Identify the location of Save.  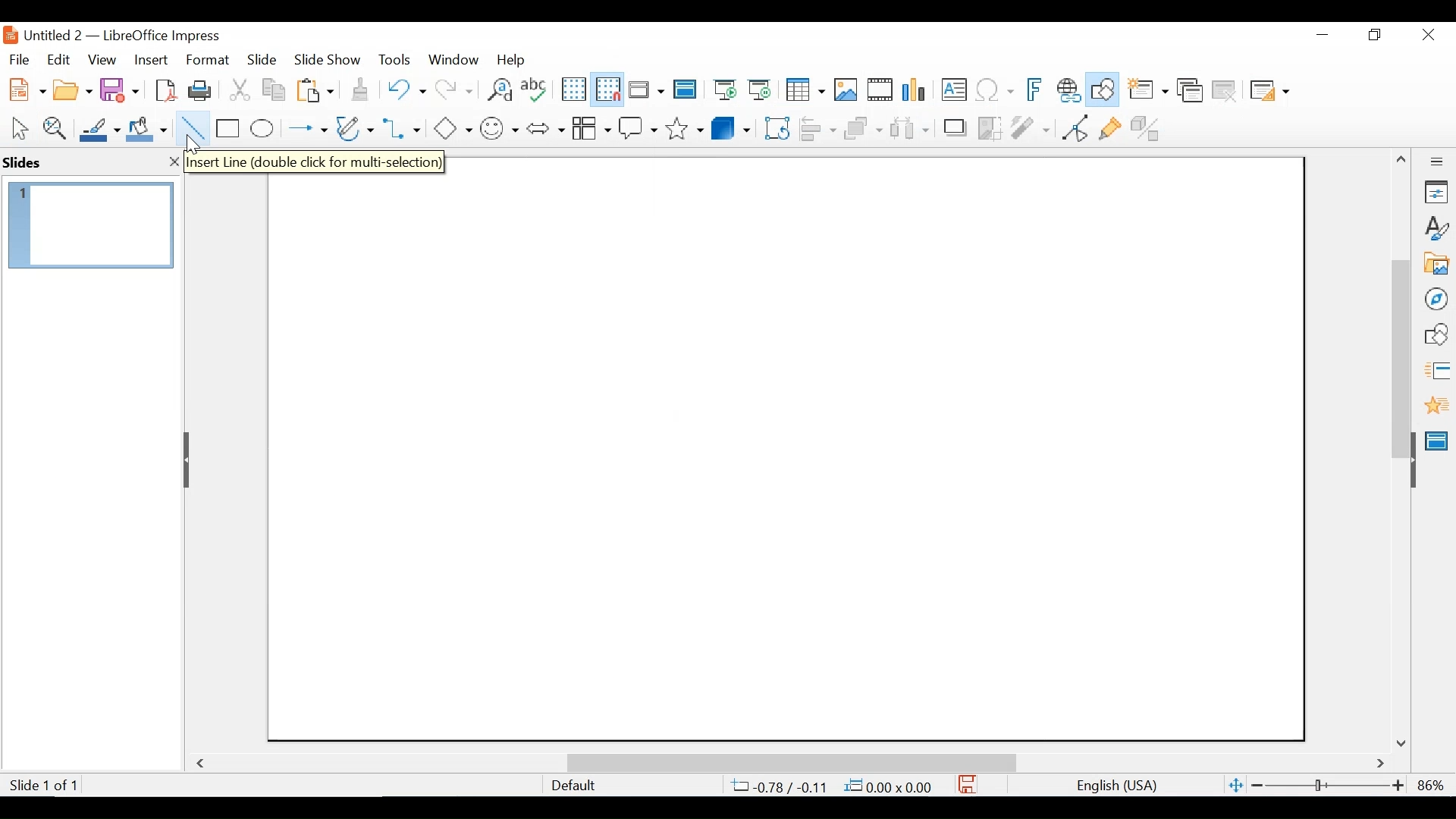
(121, 89).